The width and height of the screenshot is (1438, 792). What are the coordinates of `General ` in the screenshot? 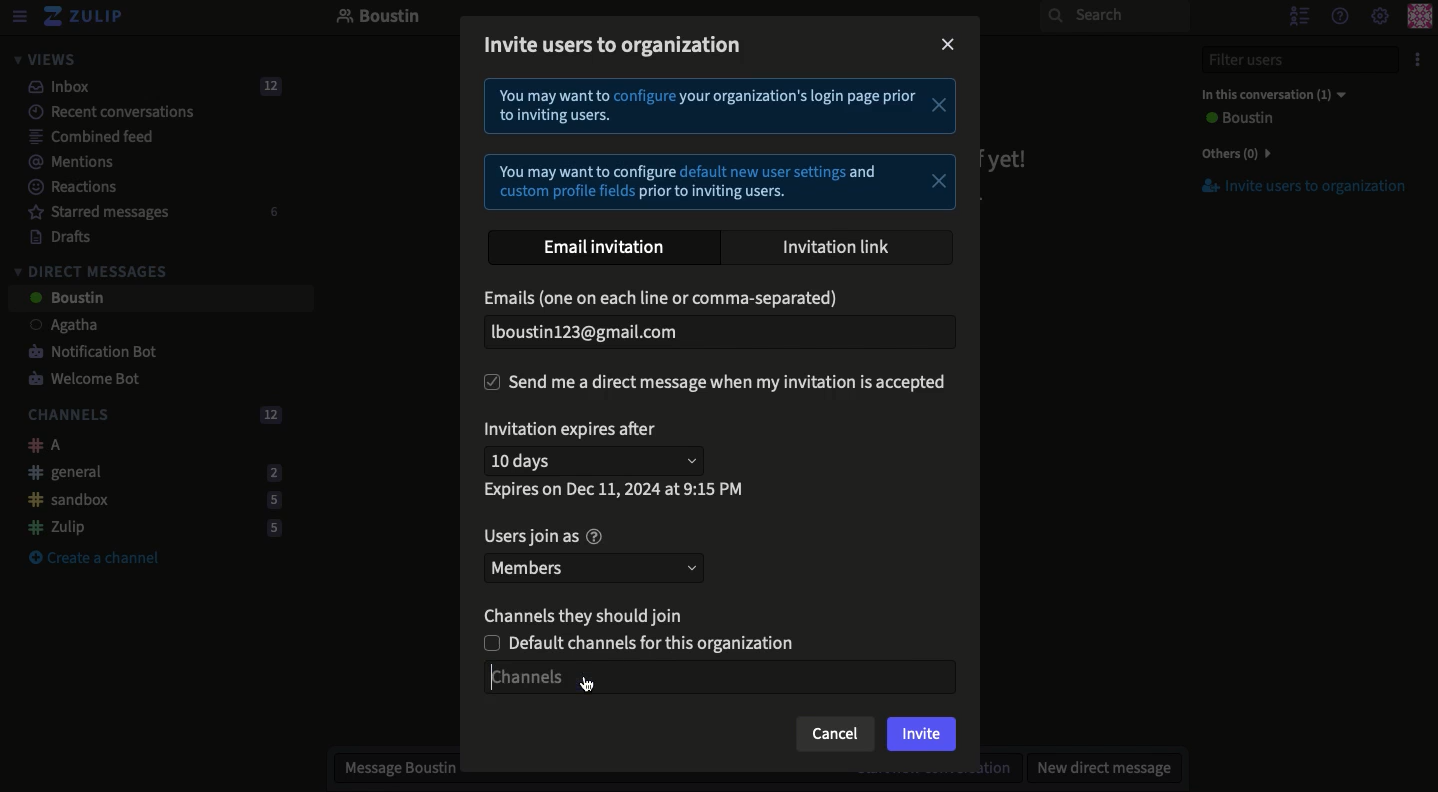 It's located at (149, 471).